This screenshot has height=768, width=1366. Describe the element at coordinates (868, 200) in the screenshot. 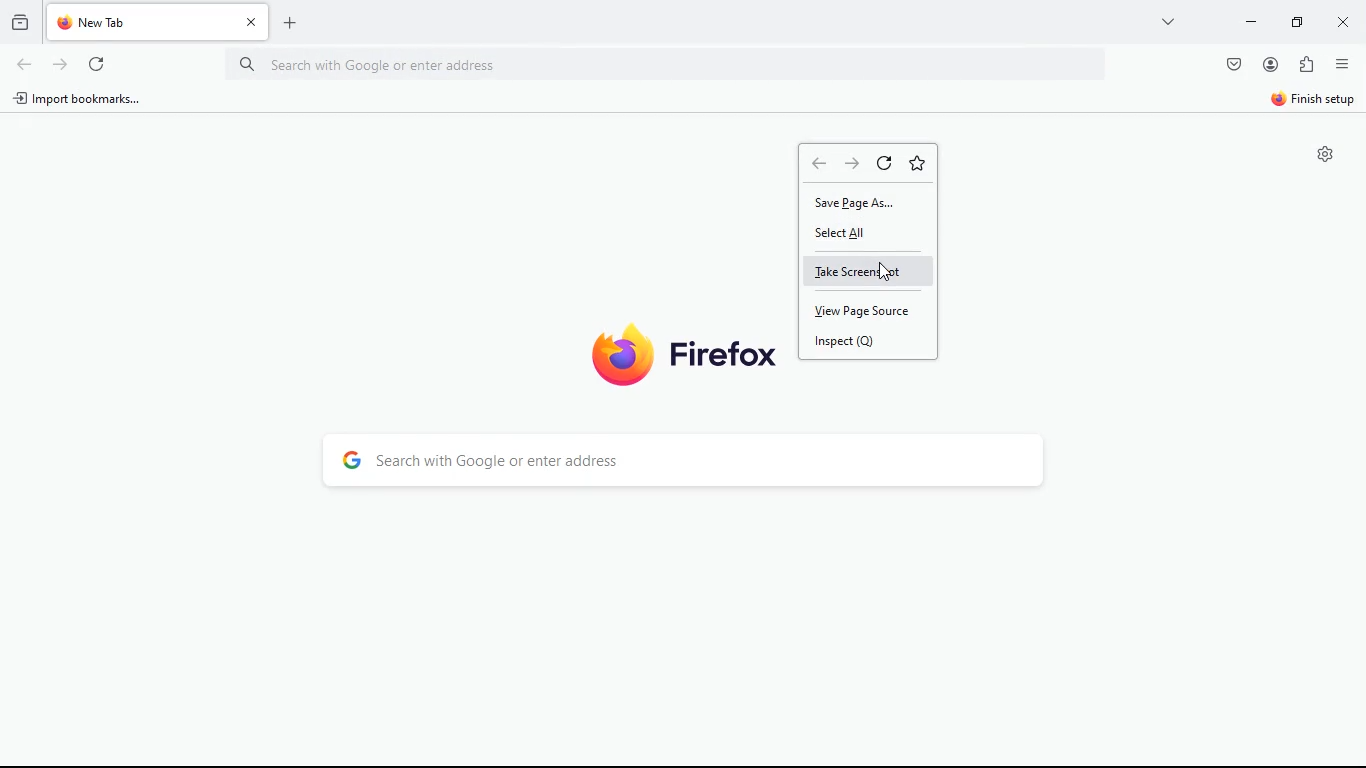

I see `save page as` at that location.